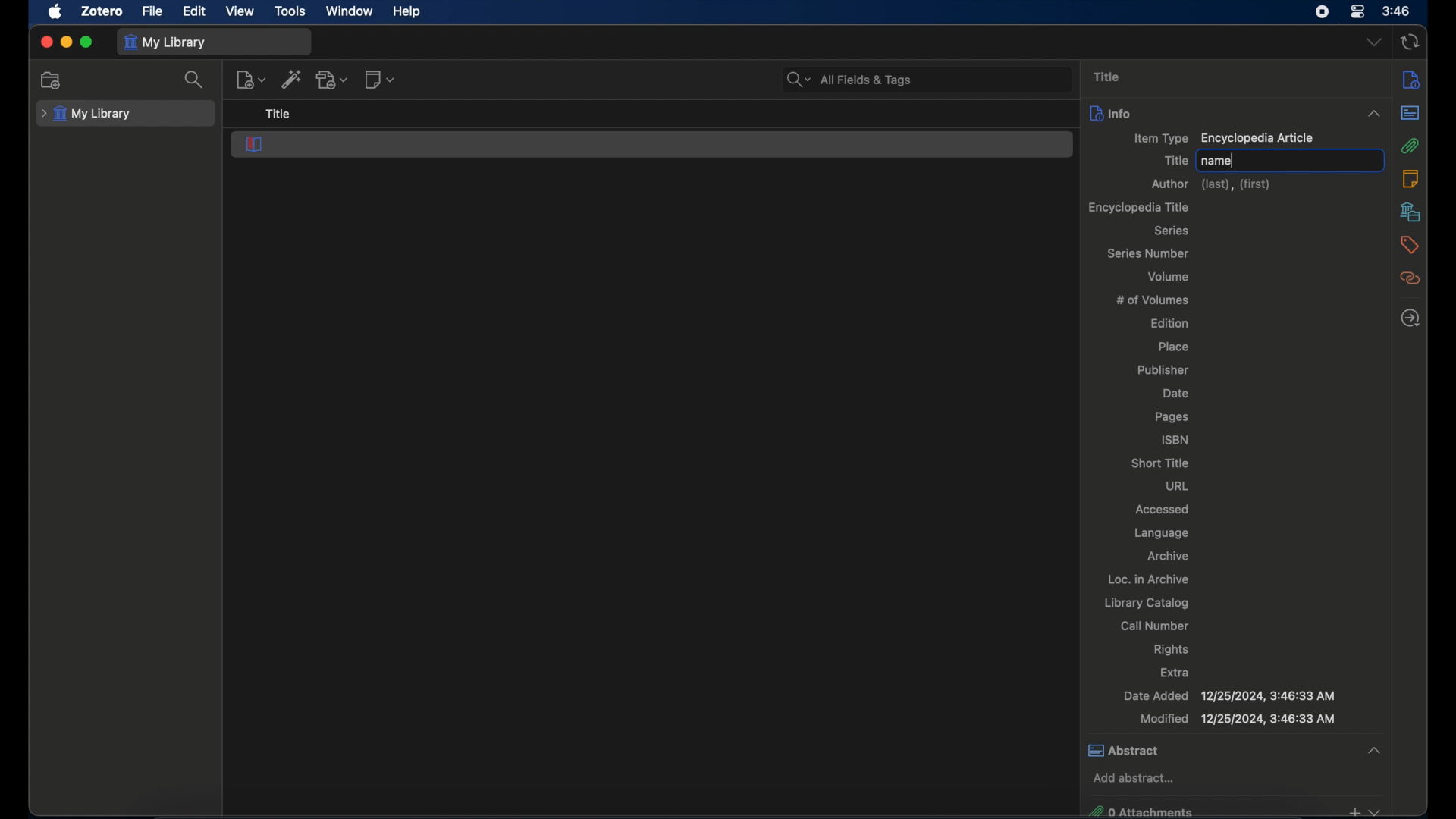  What do you see at coordinates (88, 114) in the screenshot?
I see `my library` at bounding box center [88, 114].